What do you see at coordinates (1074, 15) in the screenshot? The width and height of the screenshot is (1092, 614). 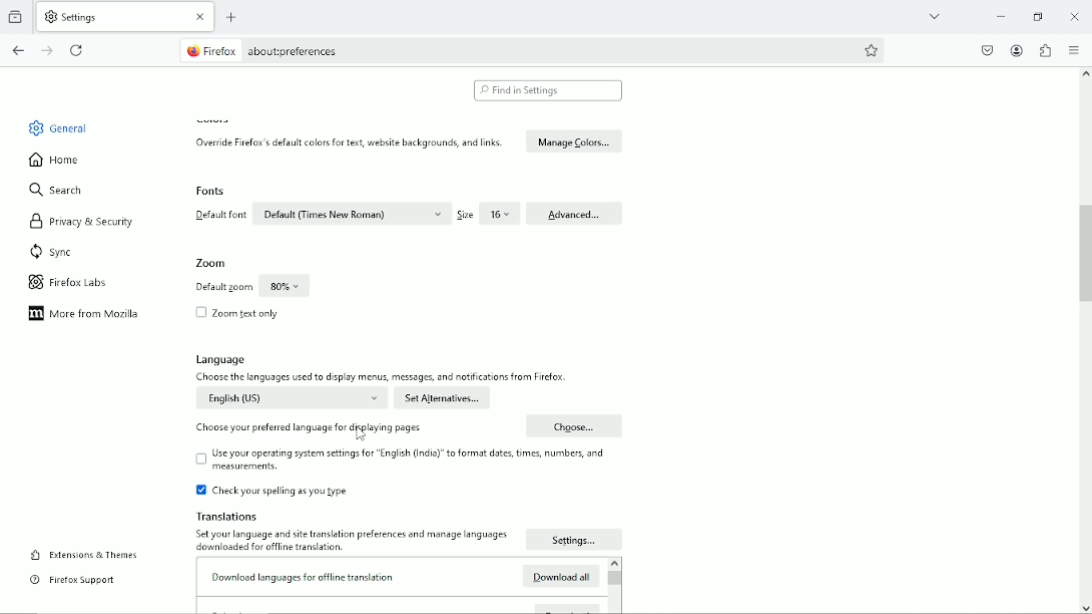 I see `Close` at bounding box center [1074, 15].